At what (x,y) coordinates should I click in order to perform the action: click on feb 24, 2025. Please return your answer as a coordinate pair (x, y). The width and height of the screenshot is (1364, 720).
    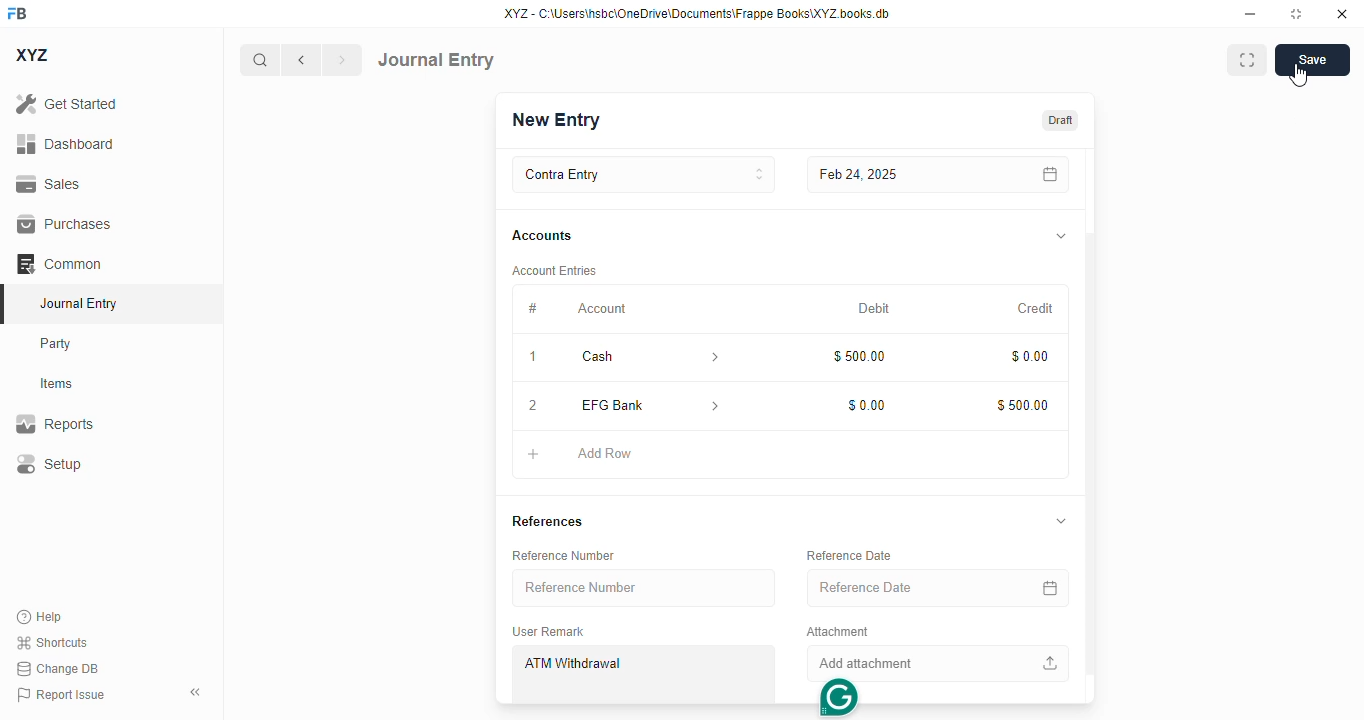
    Looking at the image, I should click on (894, 175).